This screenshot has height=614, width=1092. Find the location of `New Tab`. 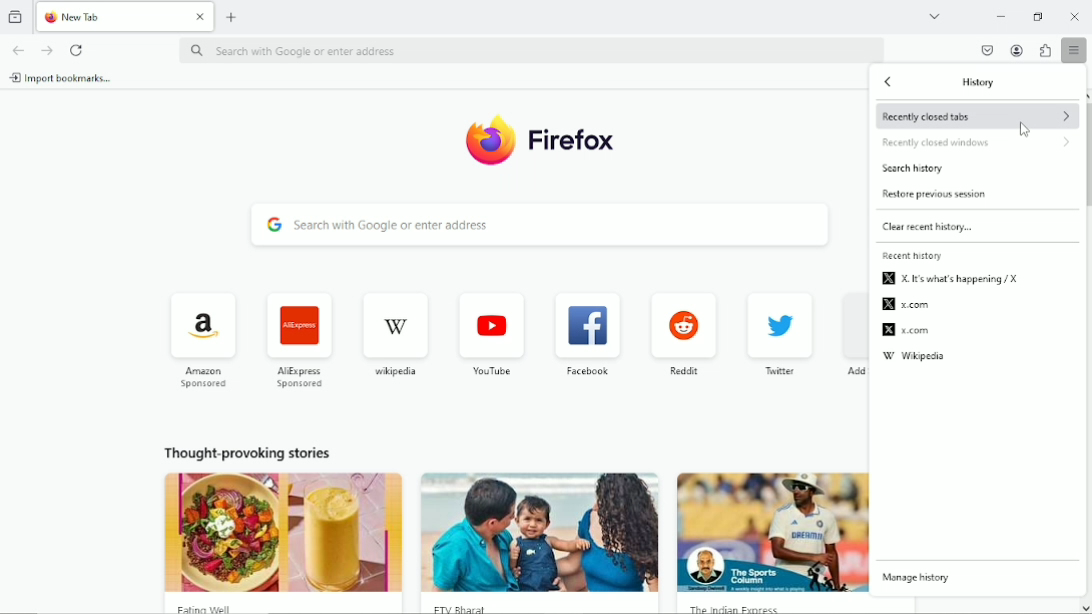

New Tab is located at coordinates (113, 16).